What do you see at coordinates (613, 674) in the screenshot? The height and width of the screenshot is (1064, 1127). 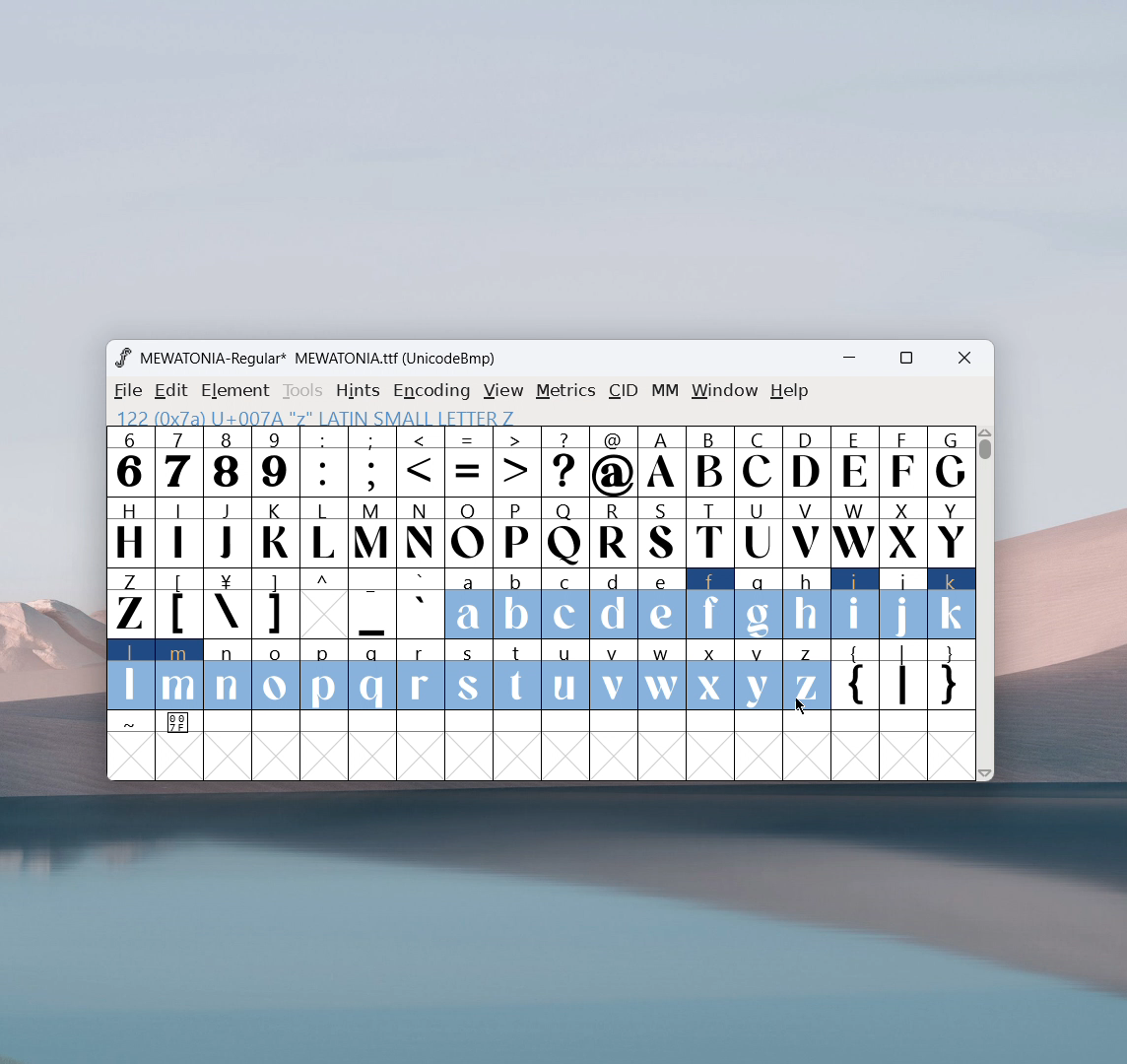 I see `v` at bounding box center [613, 674].